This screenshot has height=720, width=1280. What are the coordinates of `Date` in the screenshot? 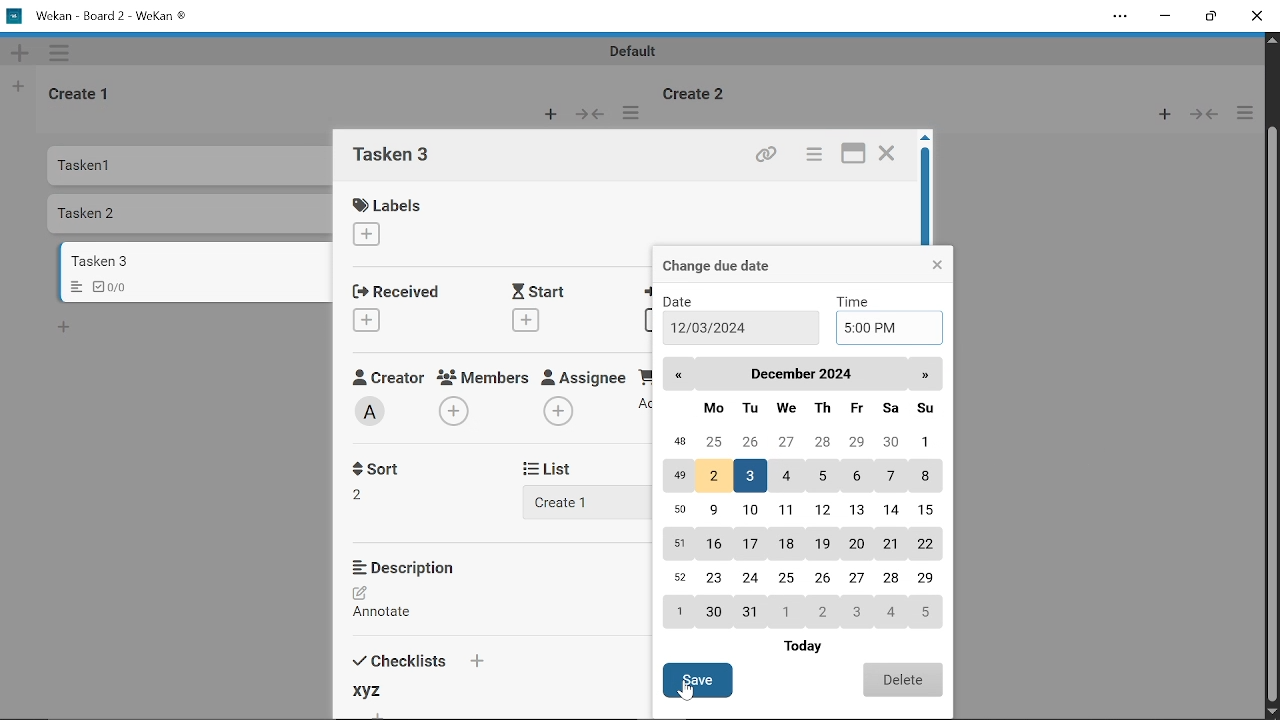 It's located at (687, 301).